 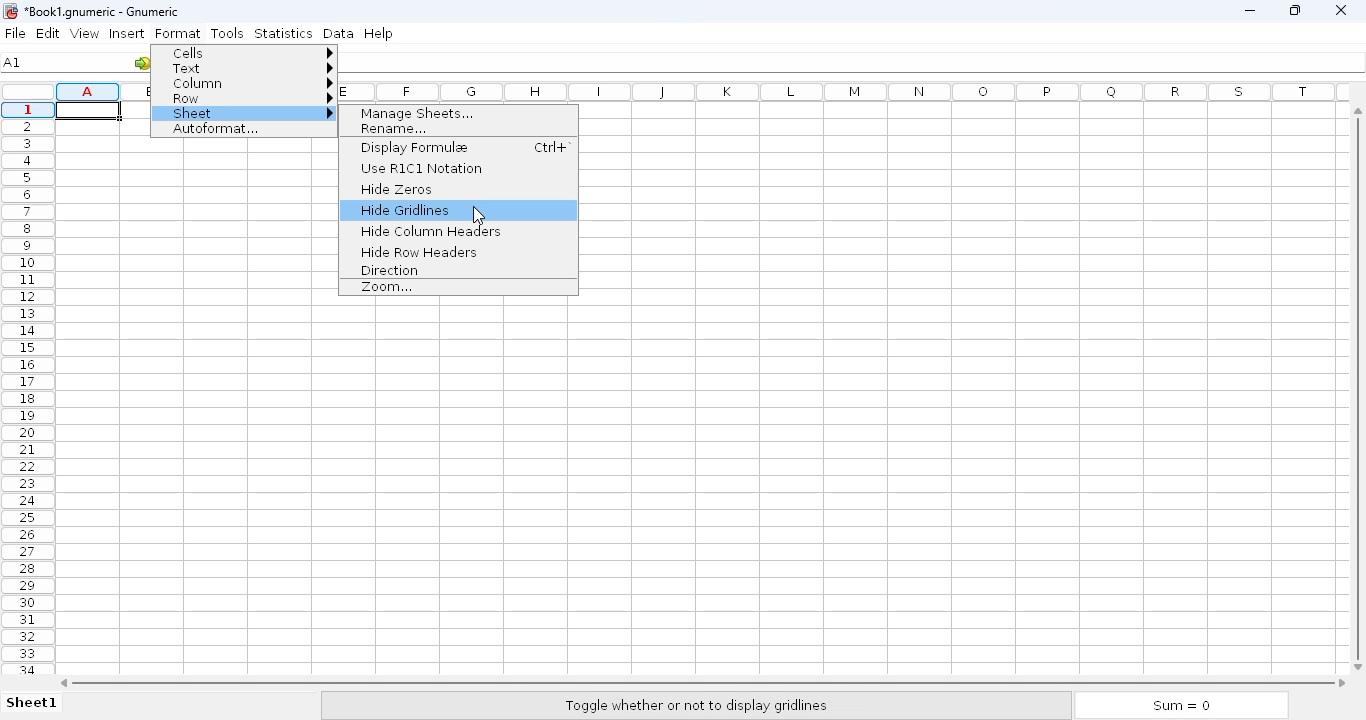 What do you see at coordinates (283, 32) in the screenshot?
I see `statistics` at bounding box center [283, 32].